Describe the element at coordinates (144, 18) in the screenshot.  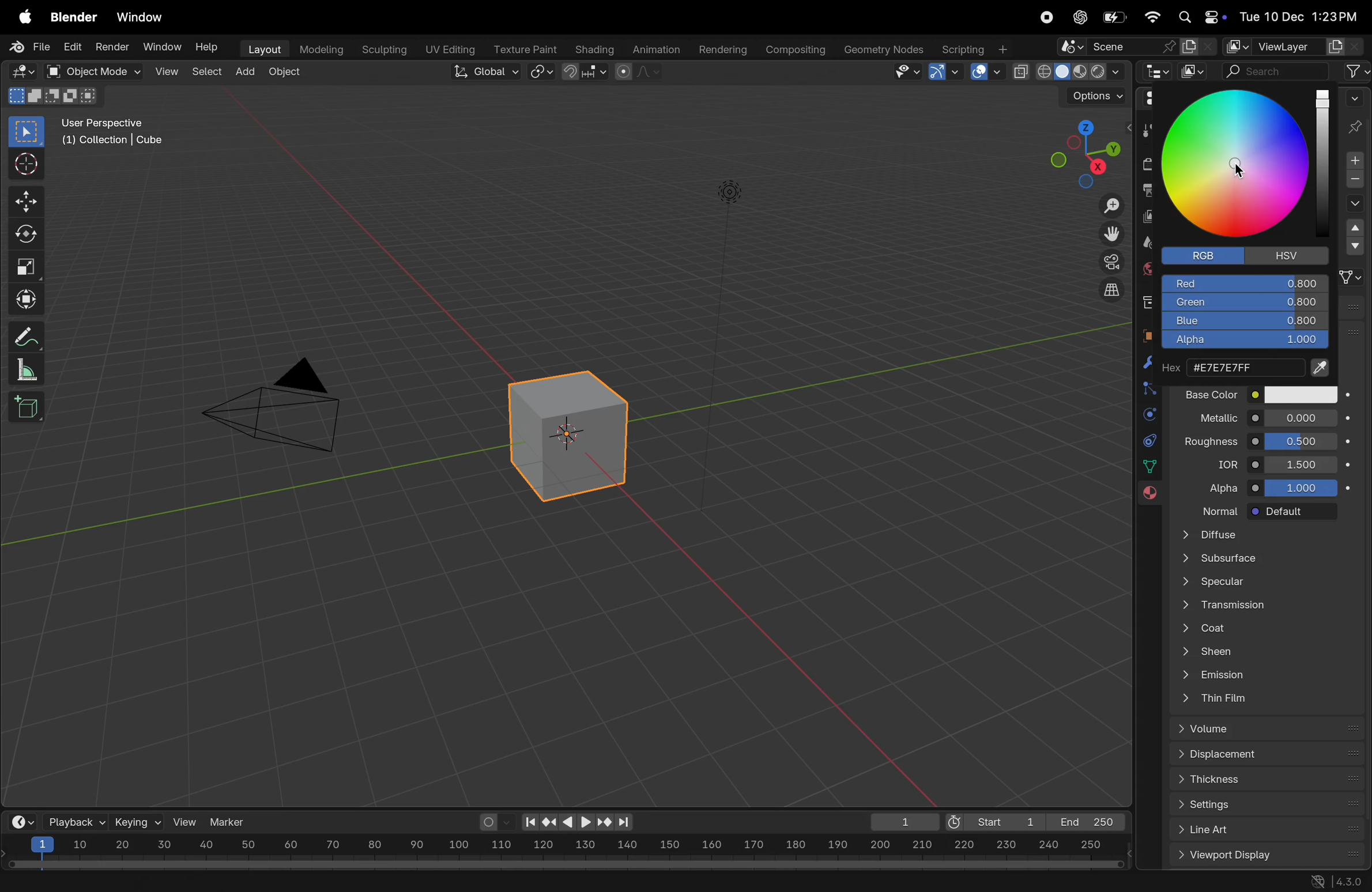
I see `window` at that location.